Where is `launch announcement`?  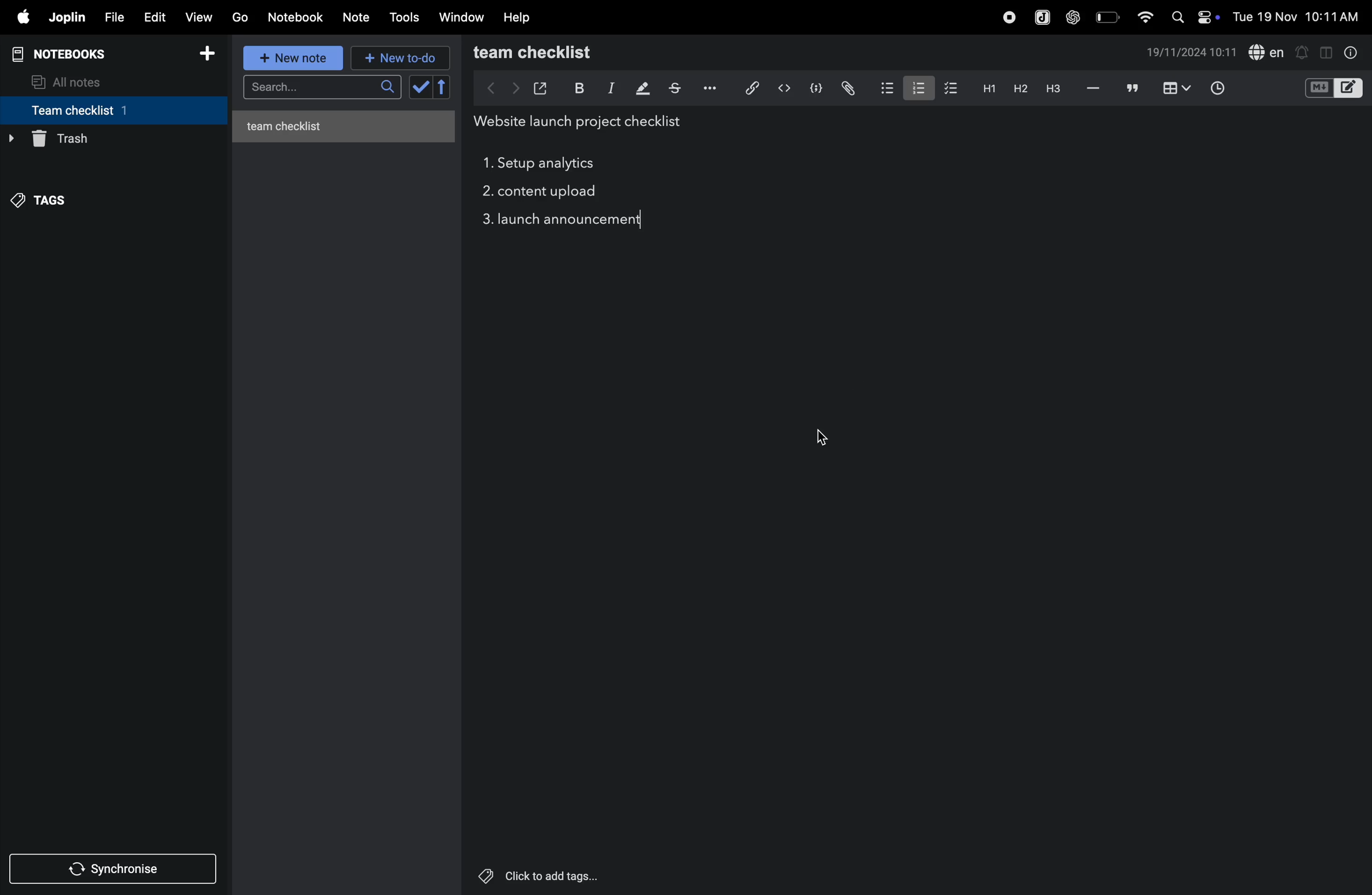
launch announcement is located at coordinates (582, 219).